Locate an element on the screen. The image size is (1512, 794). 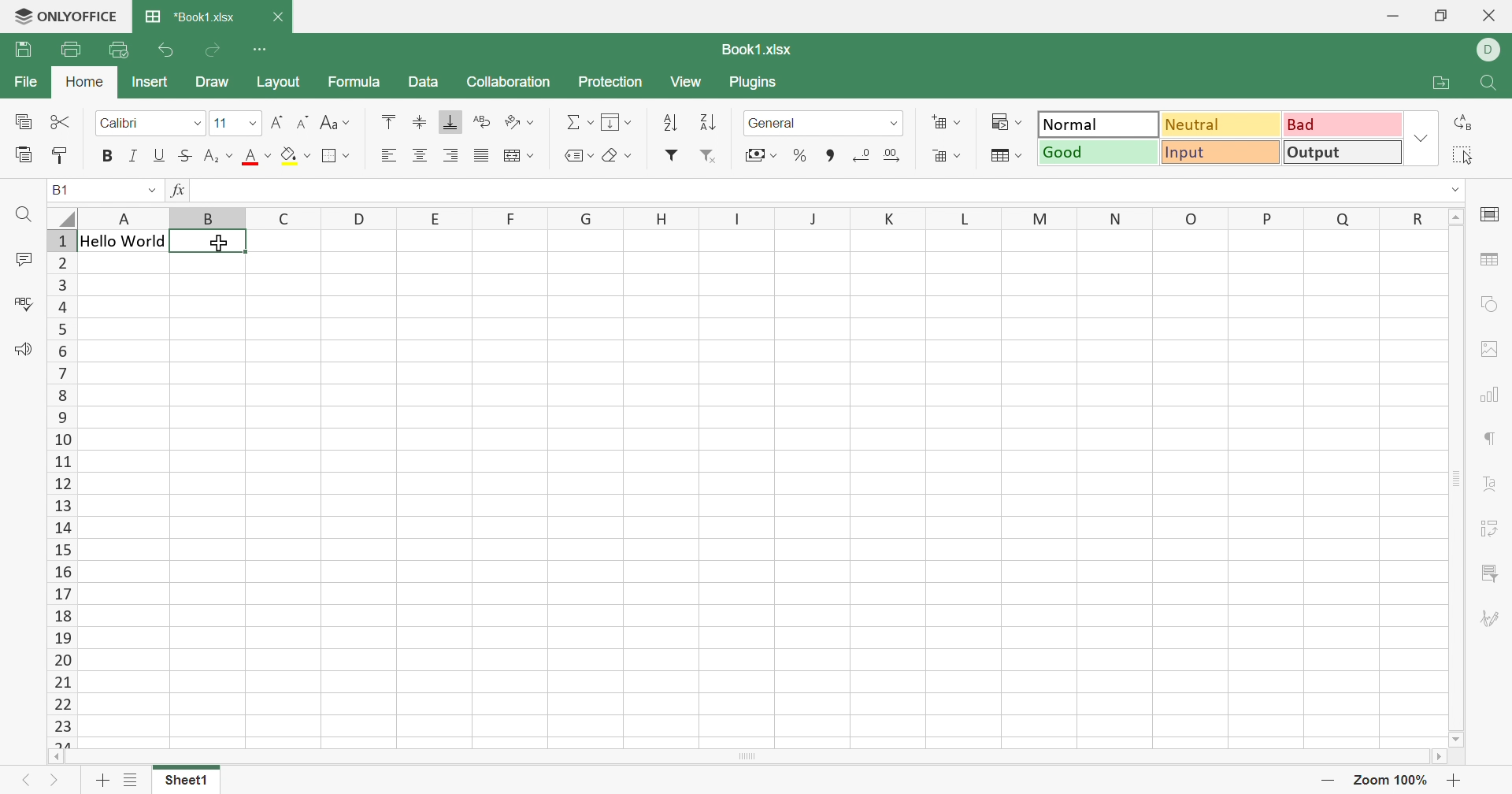
Copy is located at coordinates (24, 123).